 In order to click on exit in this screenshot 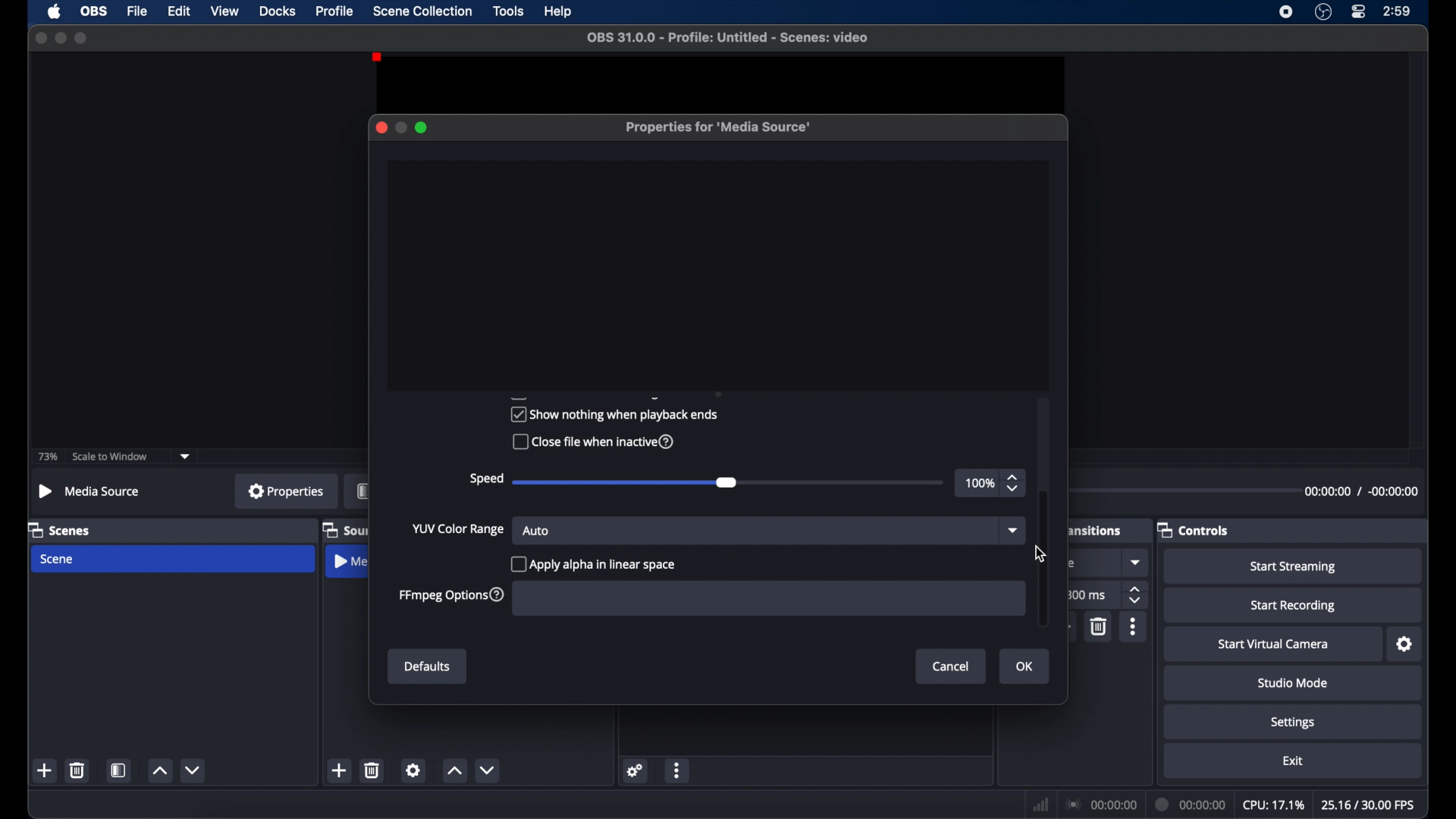, I will do `click(1294, 761)`.